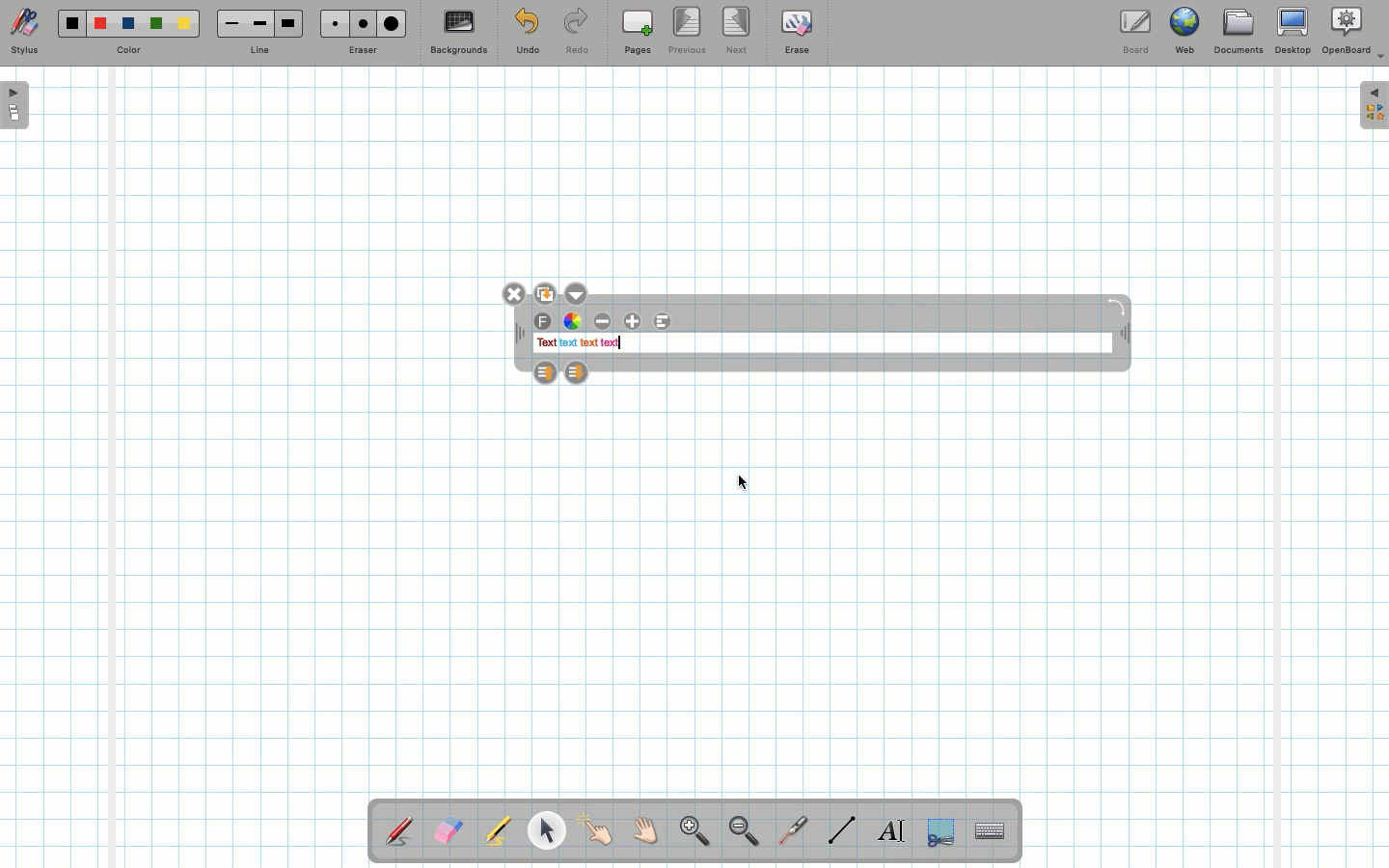  I want to click on Layer up, so click(543, 371).